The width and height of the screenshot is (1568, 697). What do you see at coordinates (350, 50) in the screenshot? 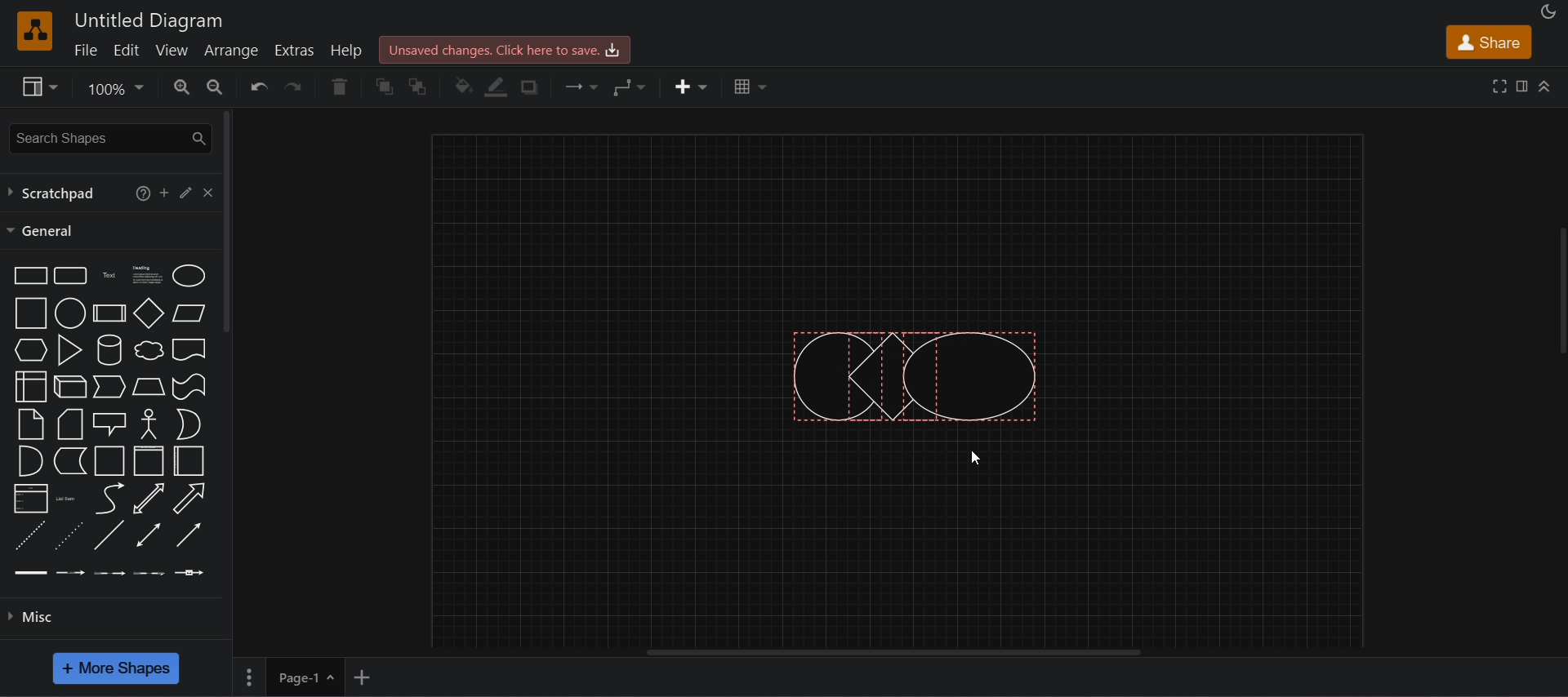
I see `help` at bounding box center [350, 50].